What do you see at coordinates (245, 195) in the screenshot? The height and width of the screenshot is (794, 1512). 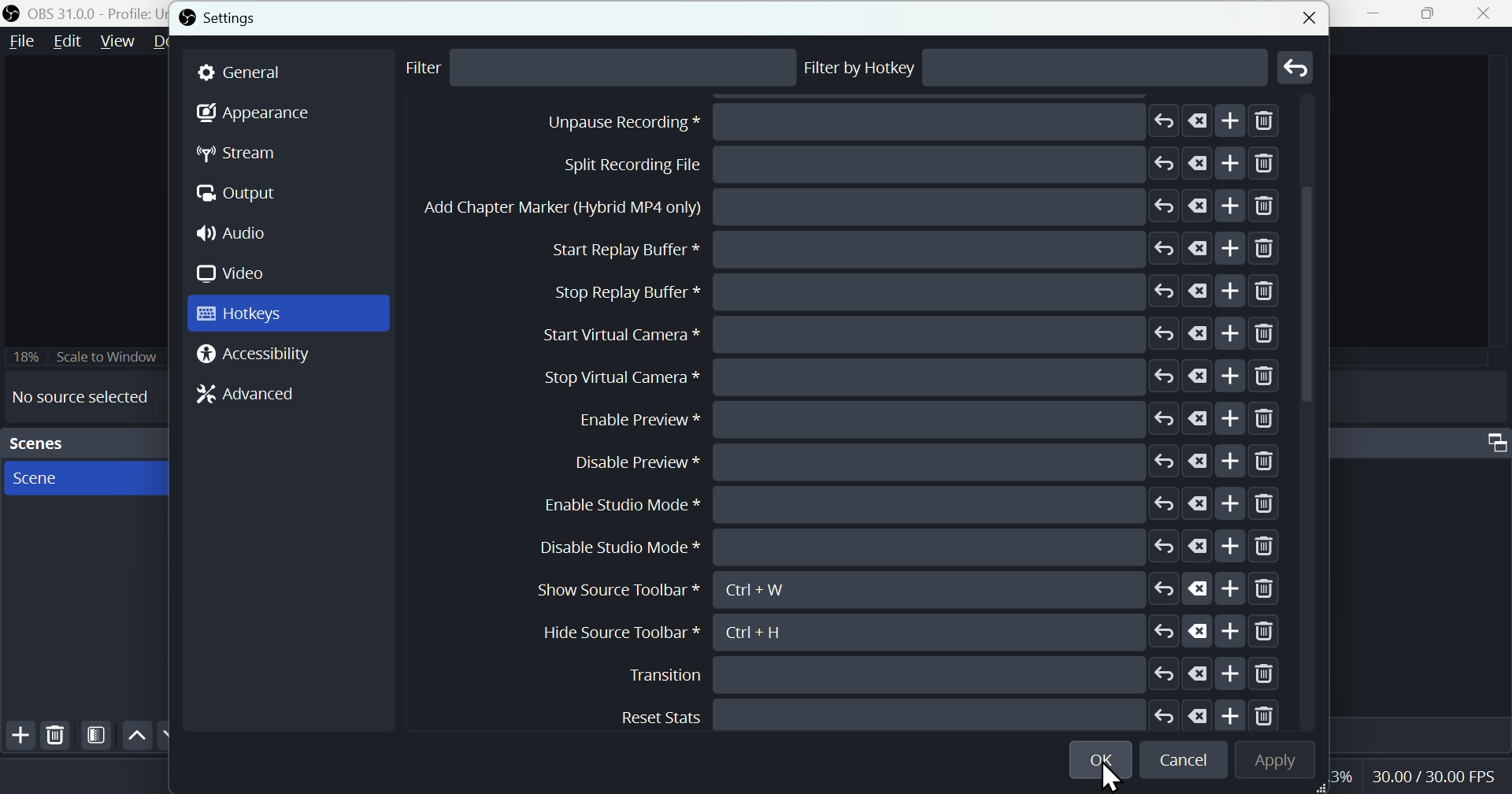 I see `Output` at bounding box center [245, 195].